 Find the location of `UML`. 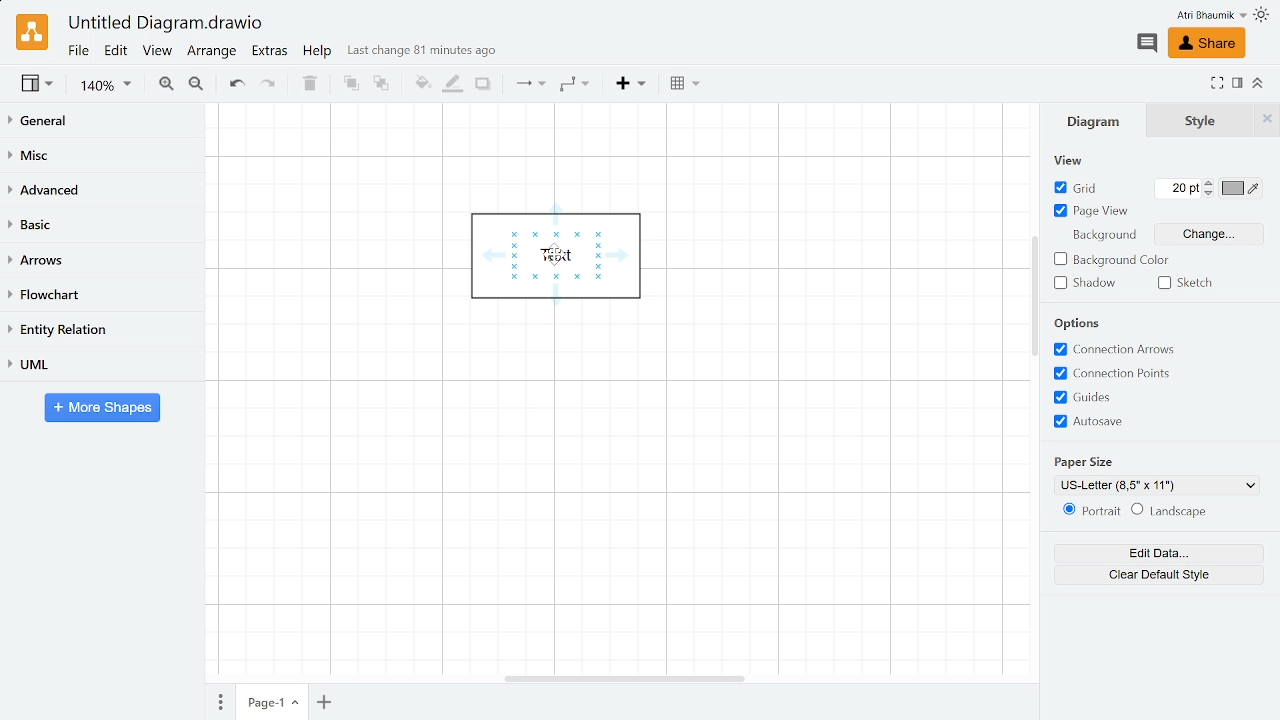

UML is located at coordinates (102, 363).